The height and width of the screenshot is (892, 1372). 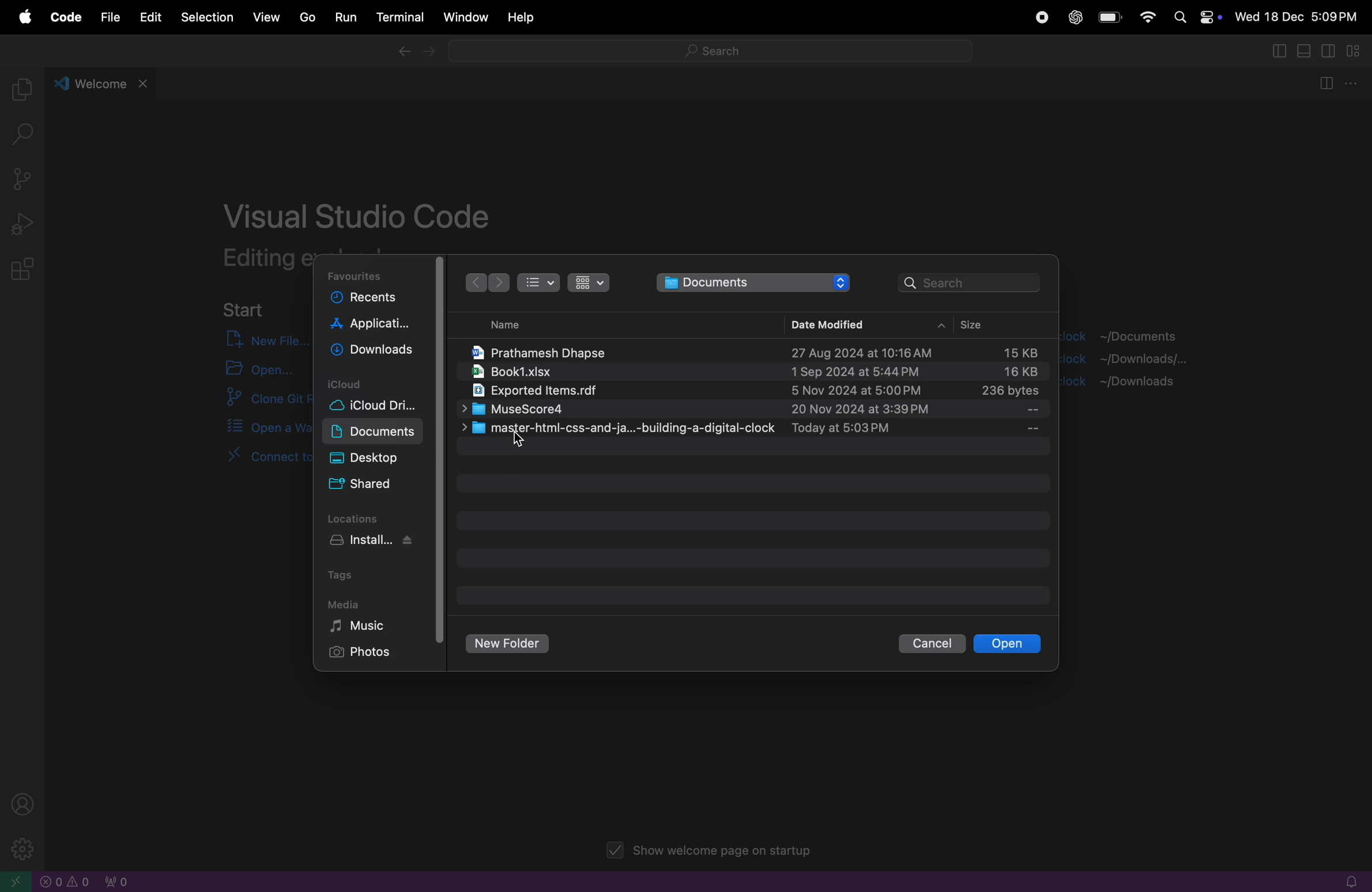 I want to click on open input elements, so click(x=255, y=369).